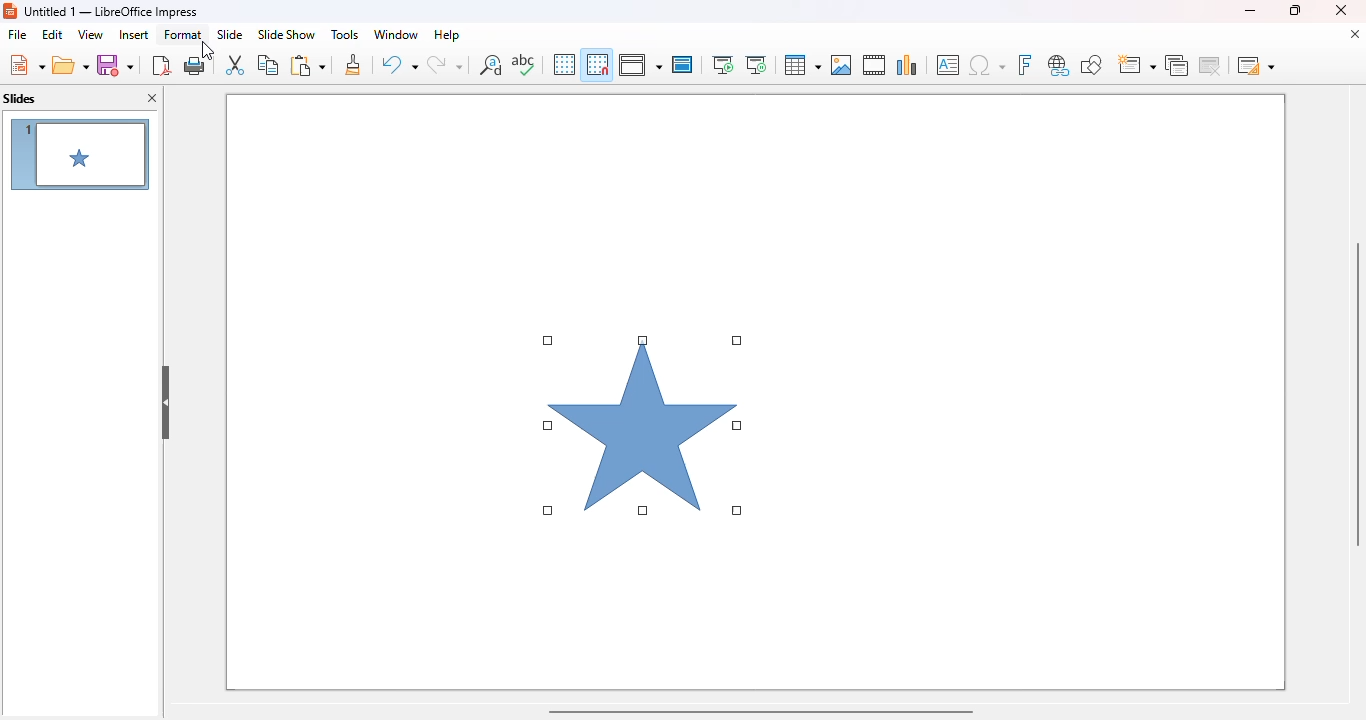 This screenshot has width=1366, height=720. Describe the element at coordinates (841, 65) in the screenshot. I see `insert image` at that location.